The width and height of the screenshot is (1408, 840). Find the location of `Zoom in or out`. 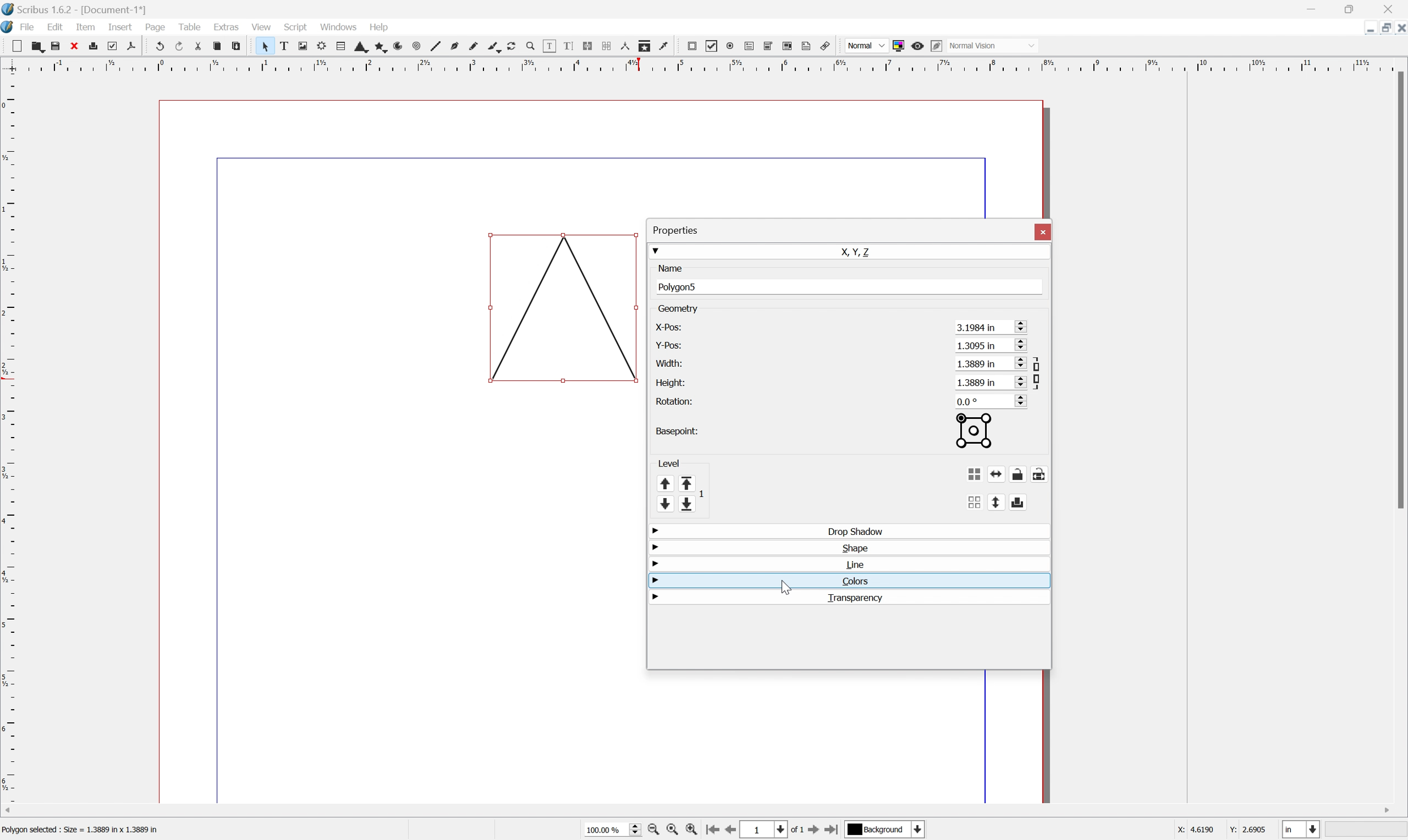

Zoom in or out is located at coordinates (529, 45).